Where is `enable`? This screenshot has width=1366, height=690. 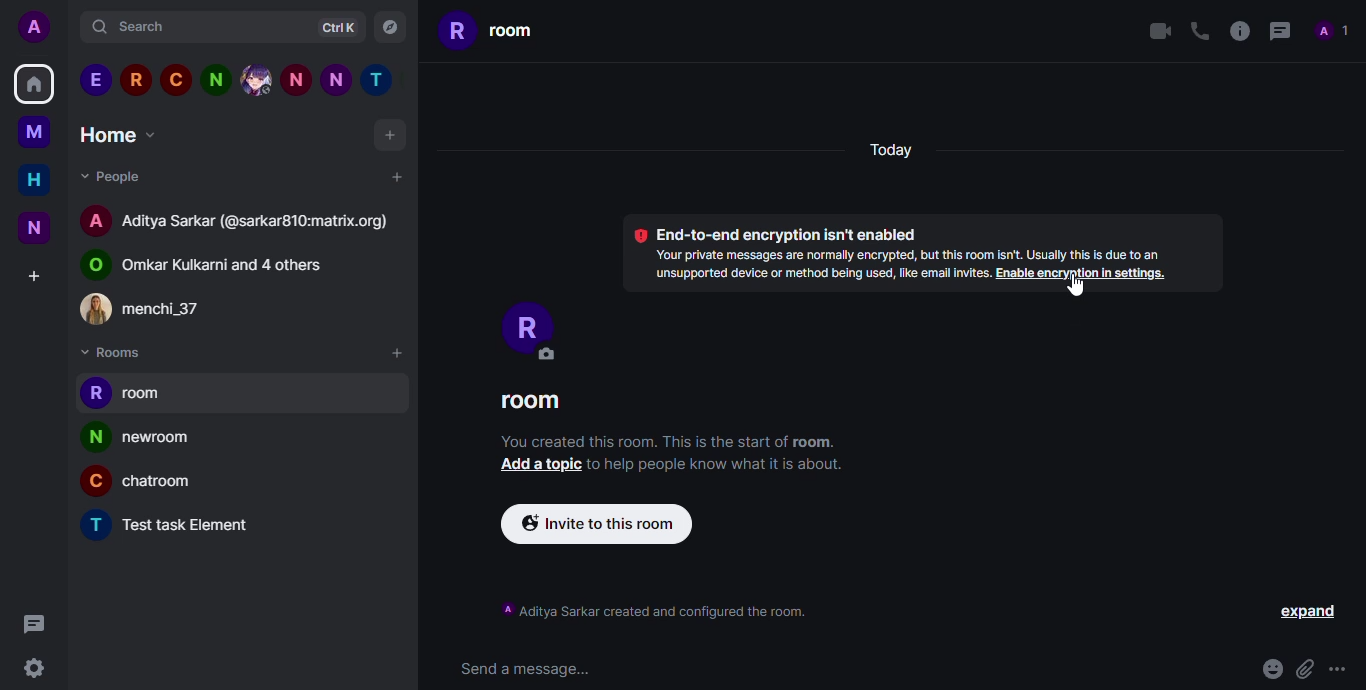
enable is located at coordinates (1083, 274).